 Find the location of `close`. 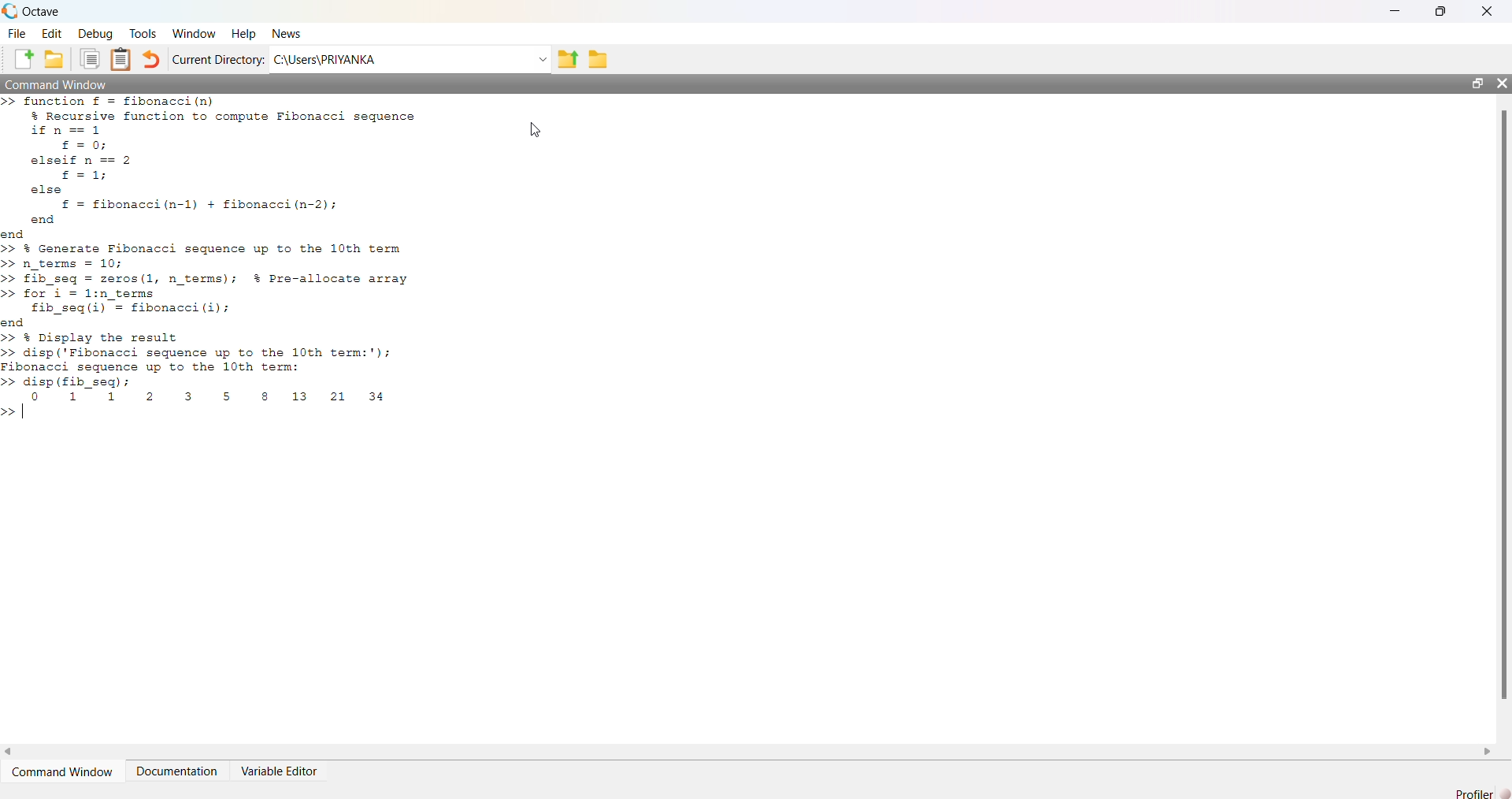

close is located at coordinates (1489, 11).